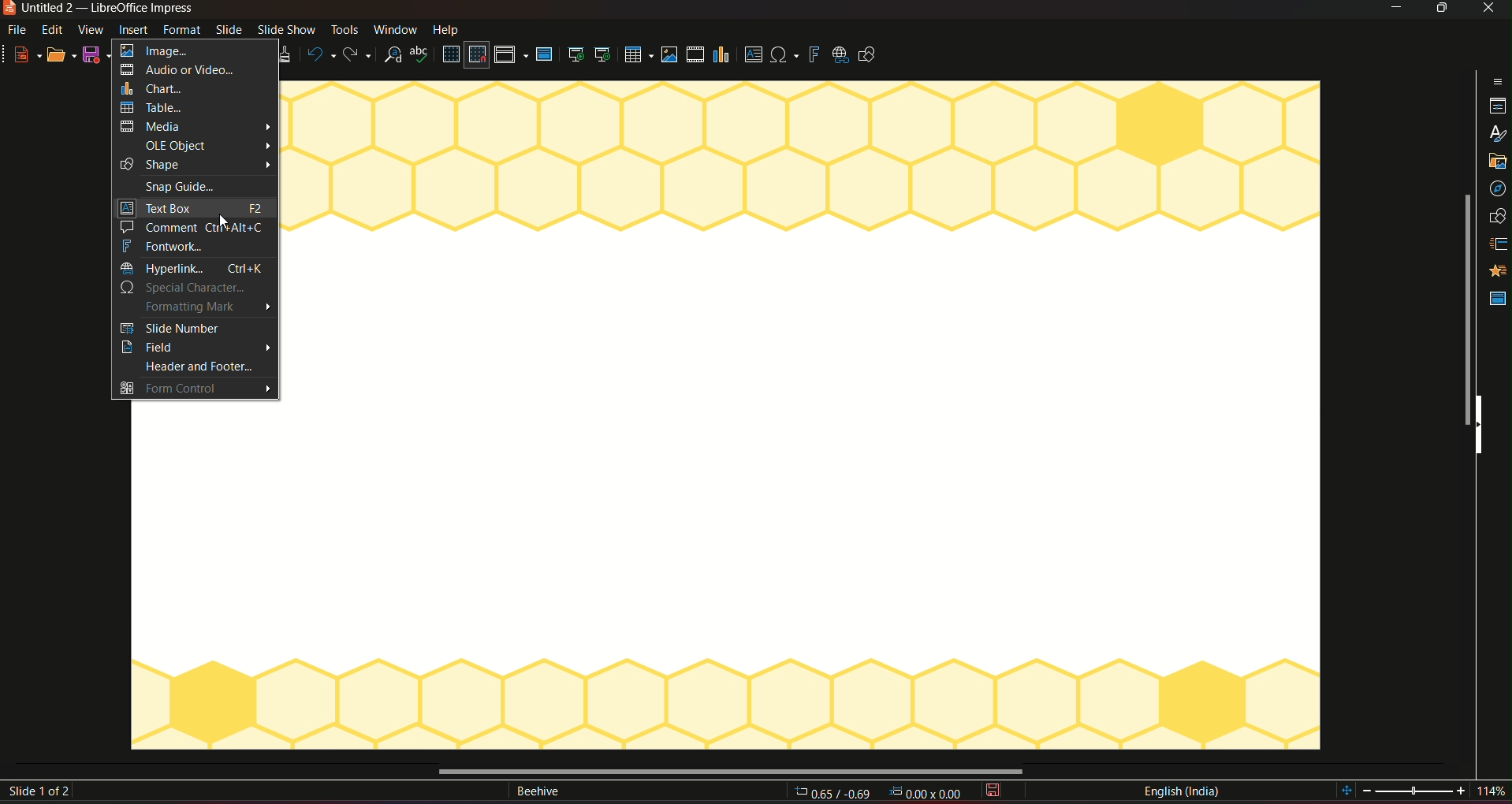  What do you see at coordinates (1416, 791) in the screenshot?
I see `edit zoom` at bounding box center [1416, 791].